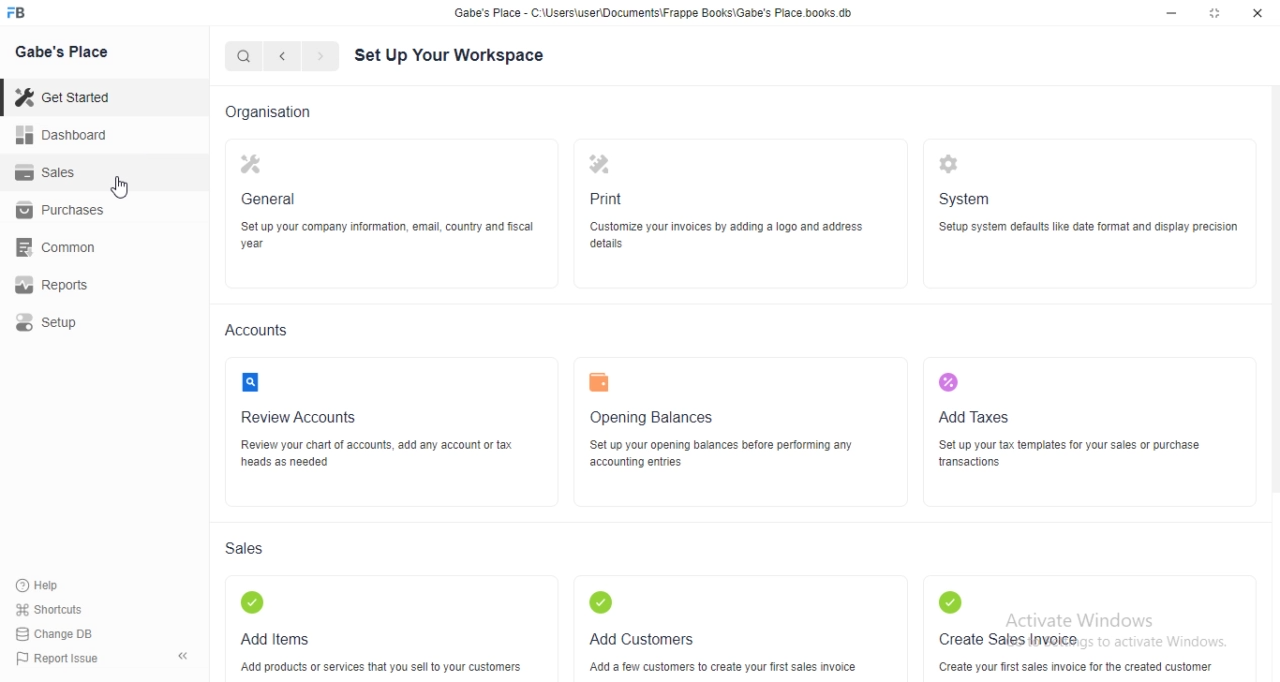 The height and width of the screenshot is (682, 1280). I want to click on Change DB, so click(64, 635).